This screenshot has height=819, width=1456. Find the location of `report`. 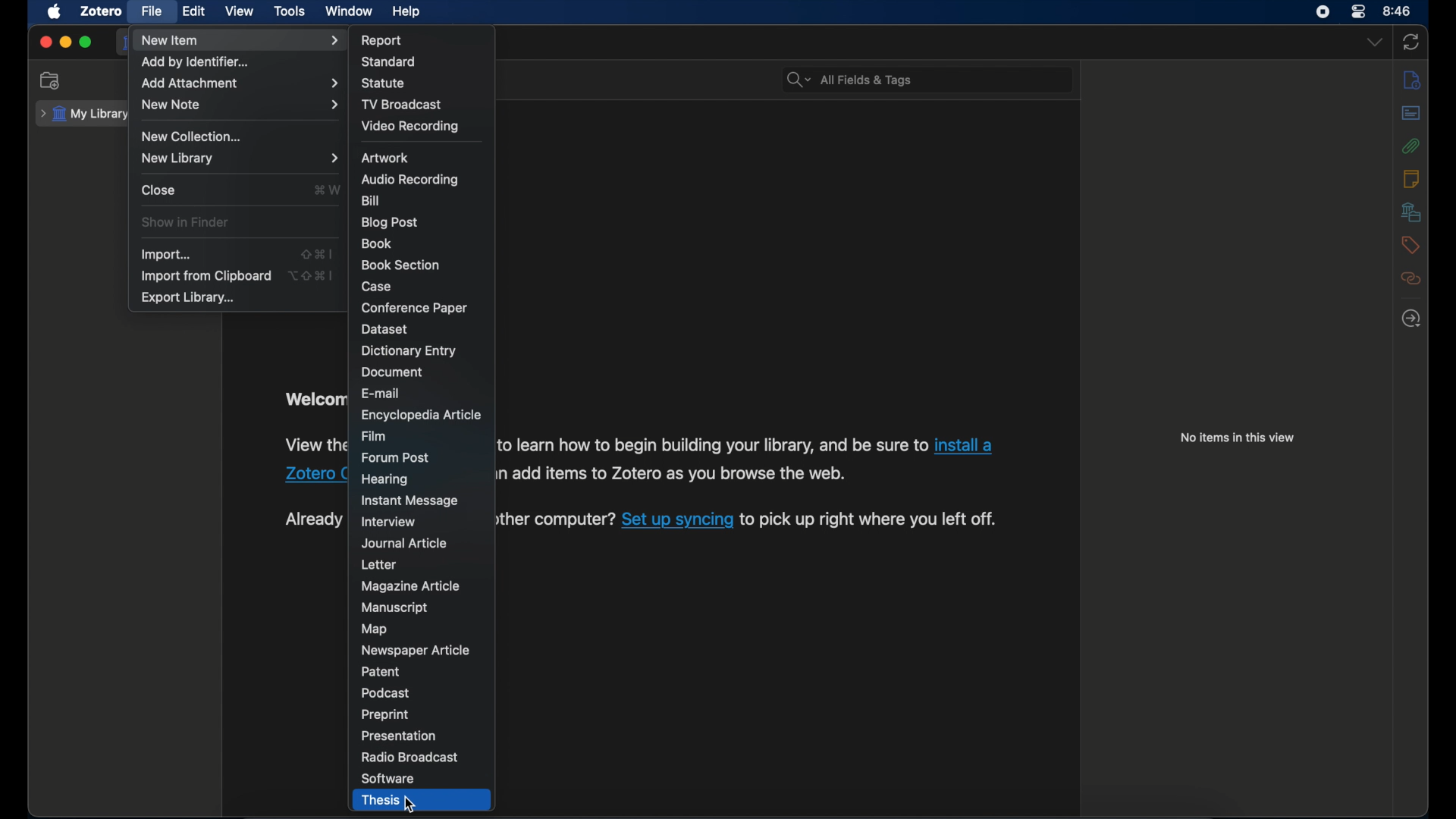

report is located at coordinates (383, 38).